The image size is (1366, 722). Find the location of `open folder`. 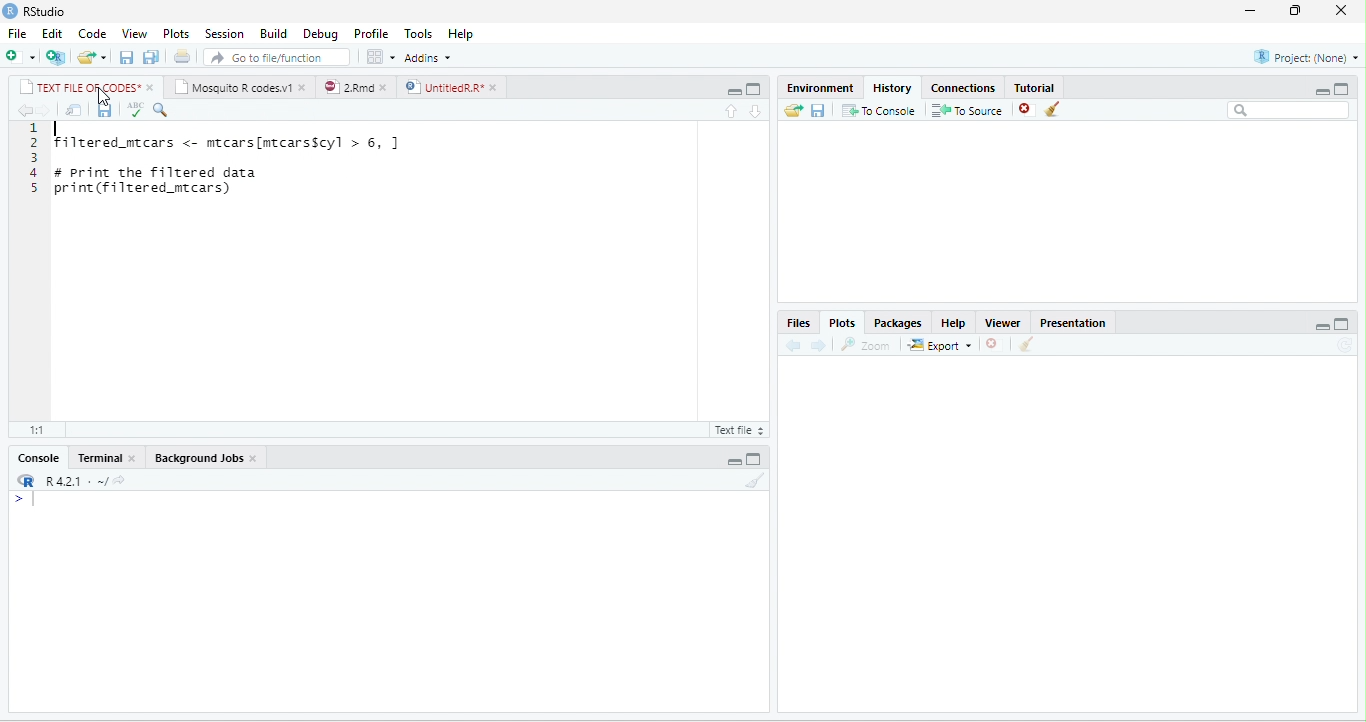

open folder is located at coordinates (793, 110).